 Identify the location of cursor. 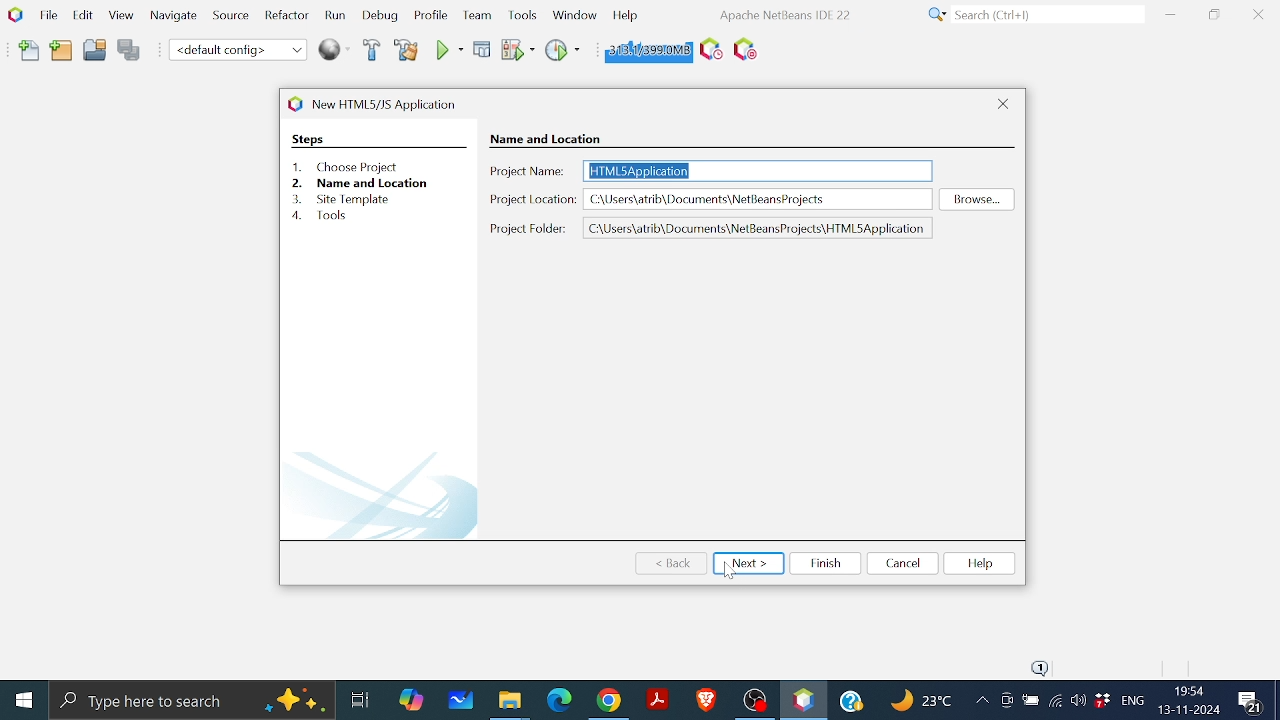
(733, 574).